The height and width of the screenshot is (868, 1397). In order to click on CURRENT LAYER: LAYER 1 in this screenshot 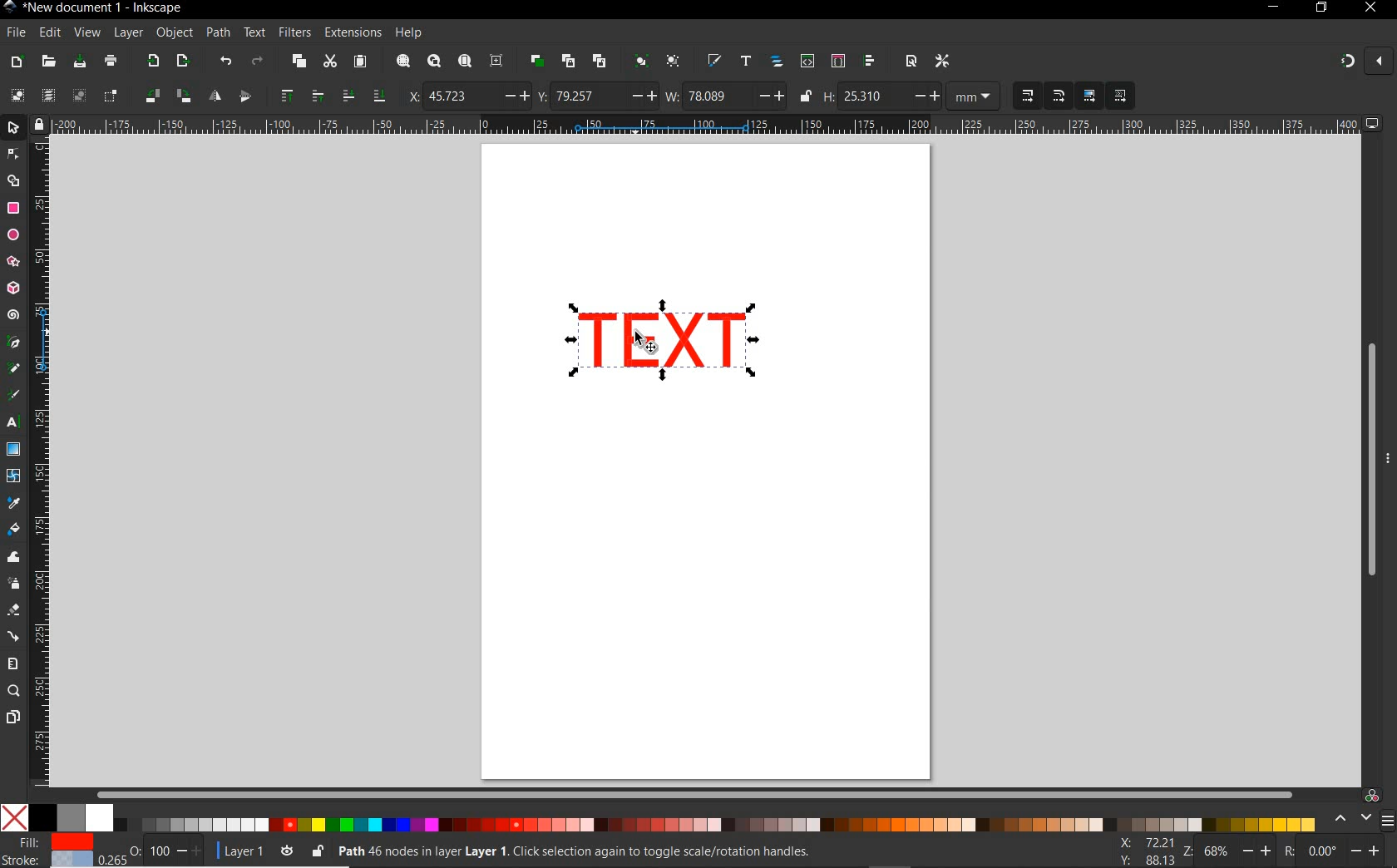, I will do `click(242, 853)`.